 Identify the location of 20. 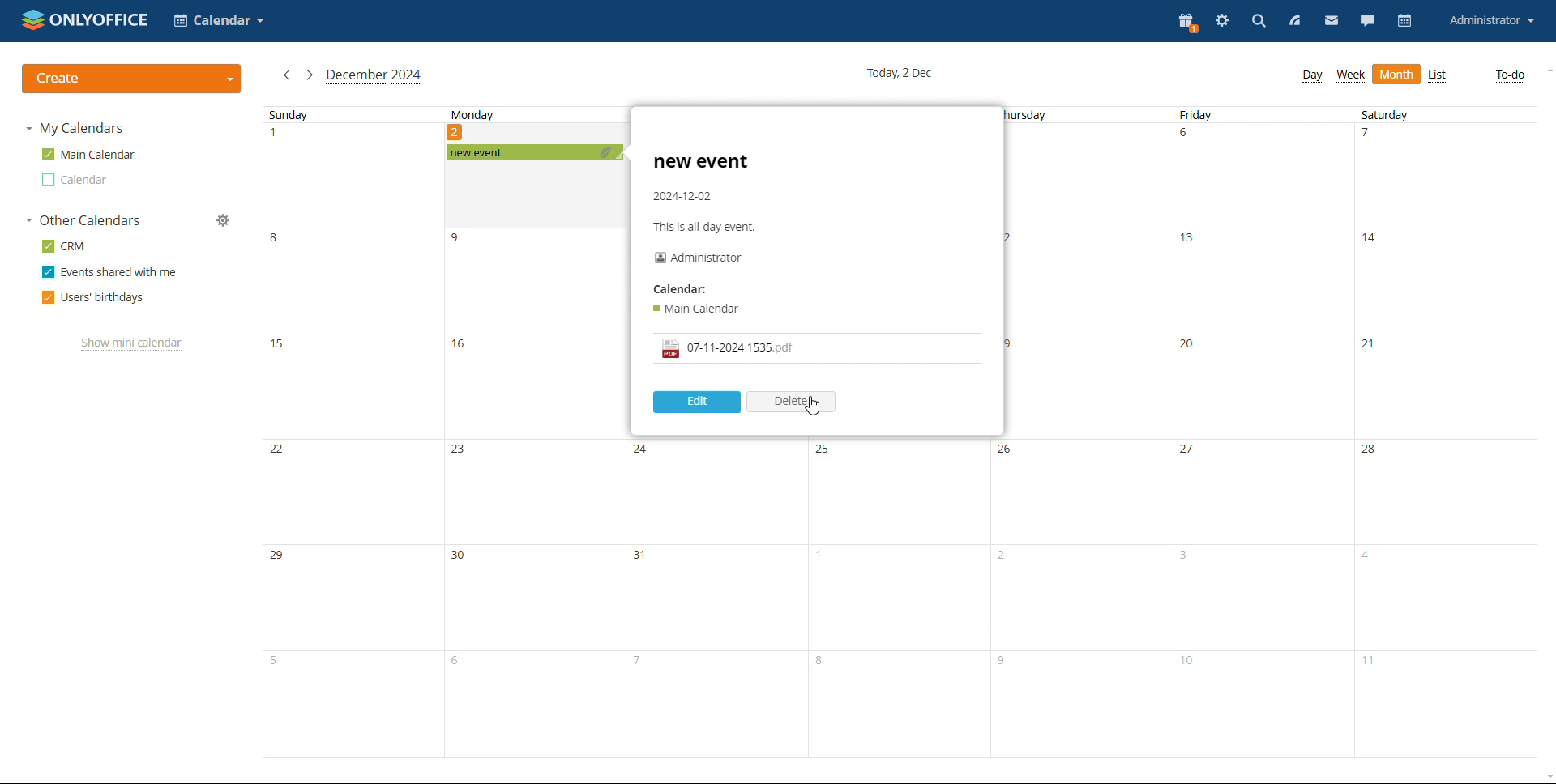
(1191, 346).